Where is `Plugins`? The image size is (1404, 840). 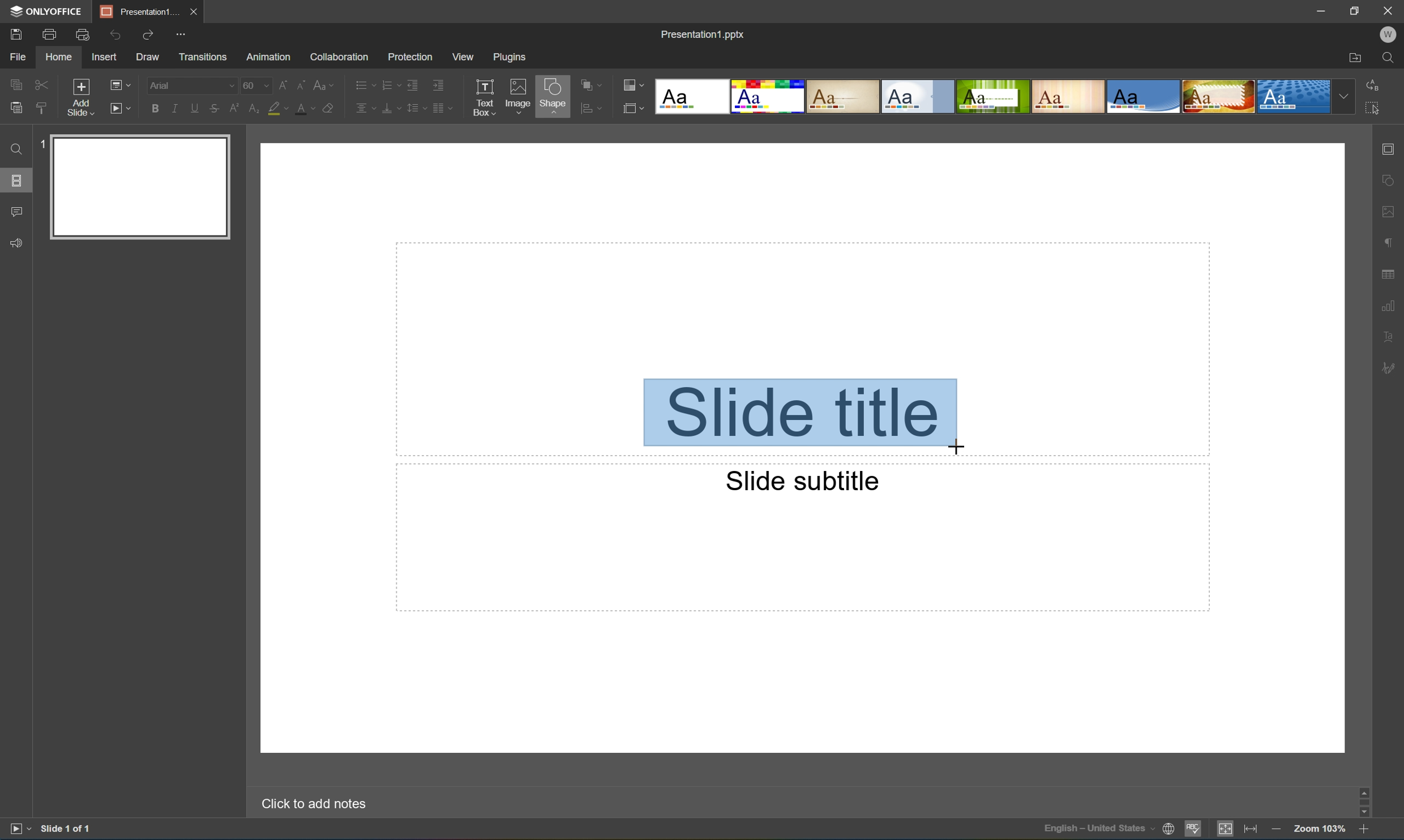 Plugins is located at coordinates (508, 57).